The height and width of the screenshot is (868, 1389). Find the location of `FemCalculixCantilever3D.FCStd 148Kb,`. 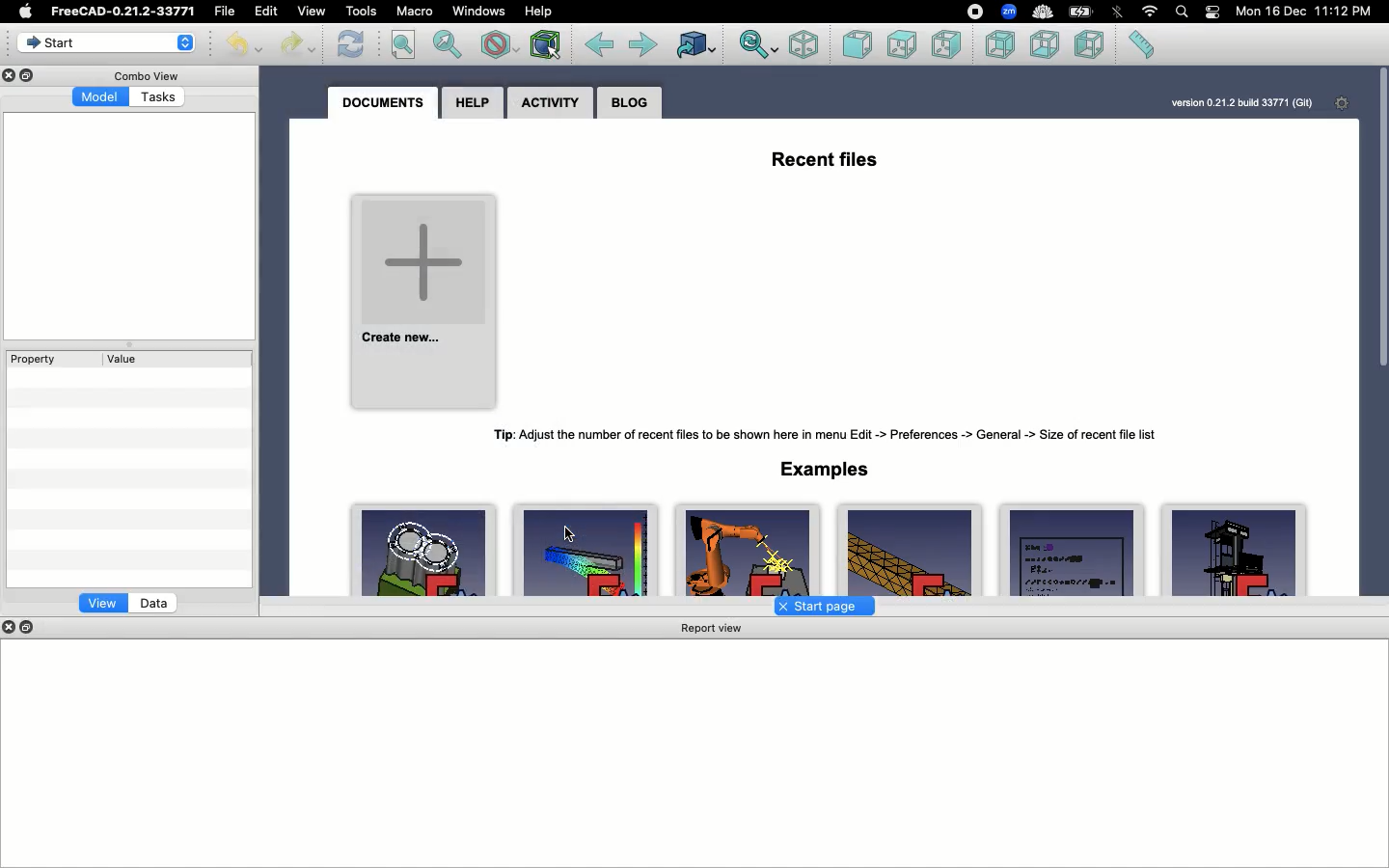

FemCalculixCantilever3D.FCStd 148Kb, is located at coordinates (589, 548).